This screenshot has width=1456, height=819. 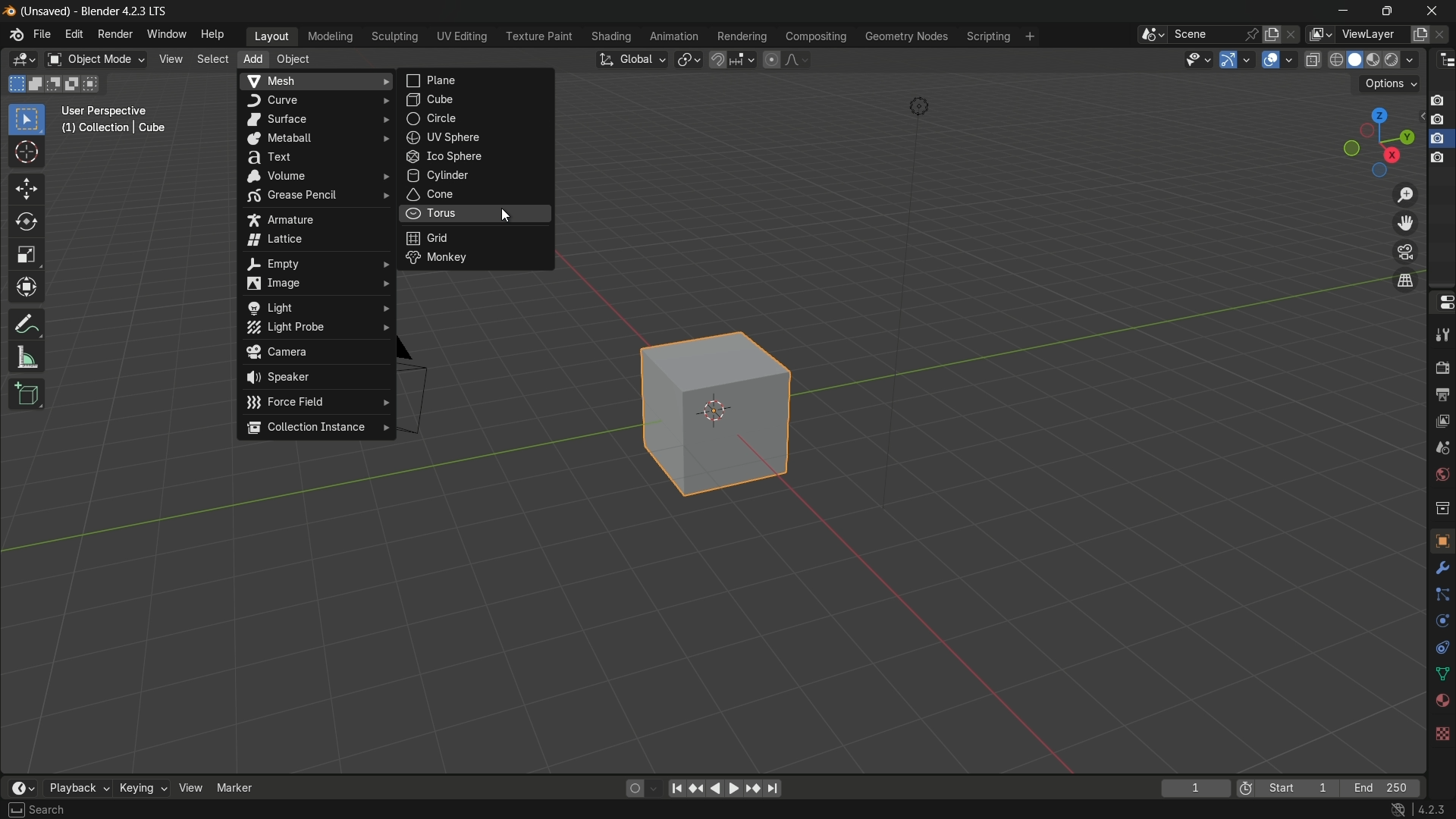 I want to click on add workplace, so click(x=1030, y=36).